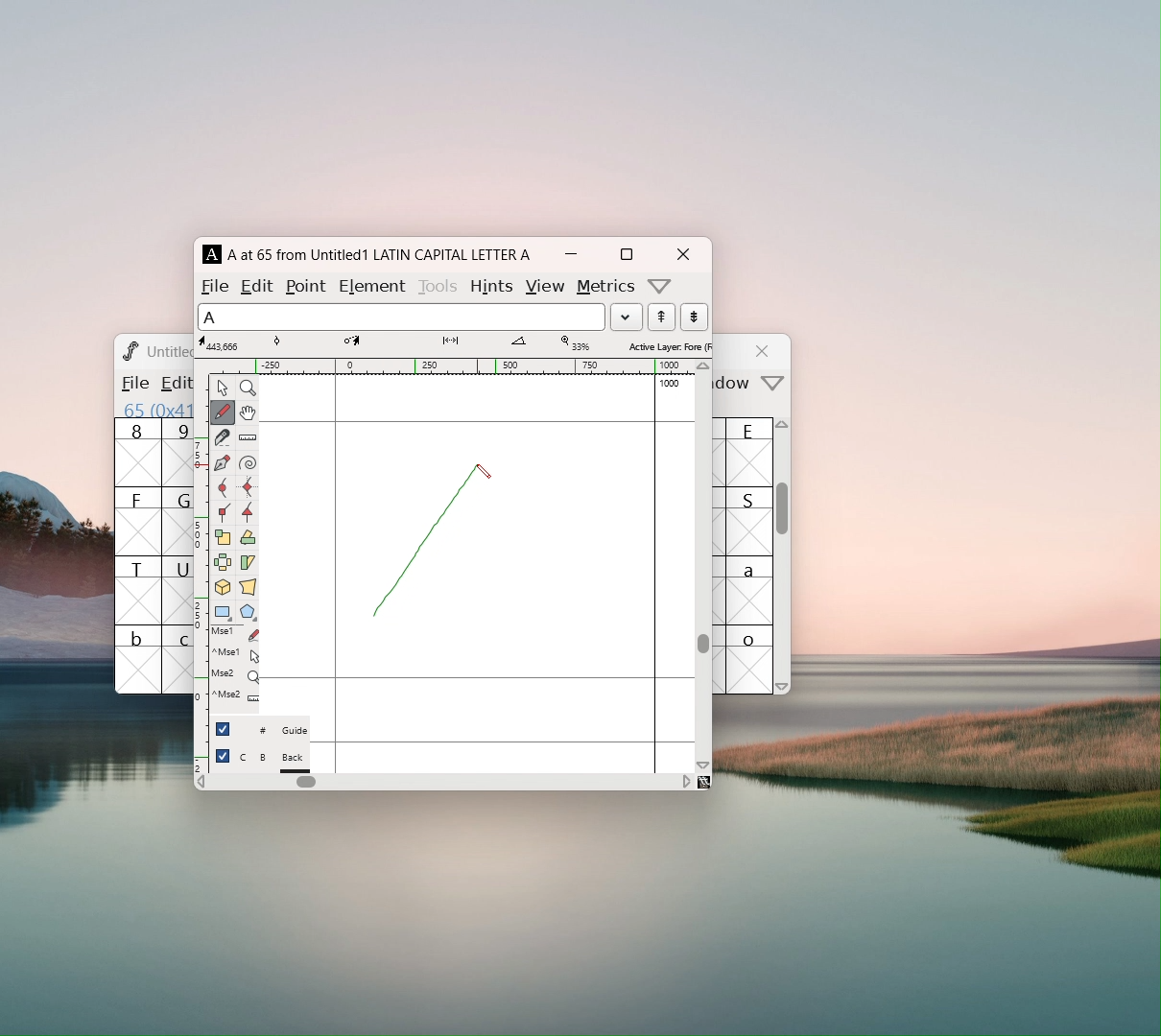  Describe the element at coordinates (784, 429) in the screenshot. I see `scroll up` at that location.